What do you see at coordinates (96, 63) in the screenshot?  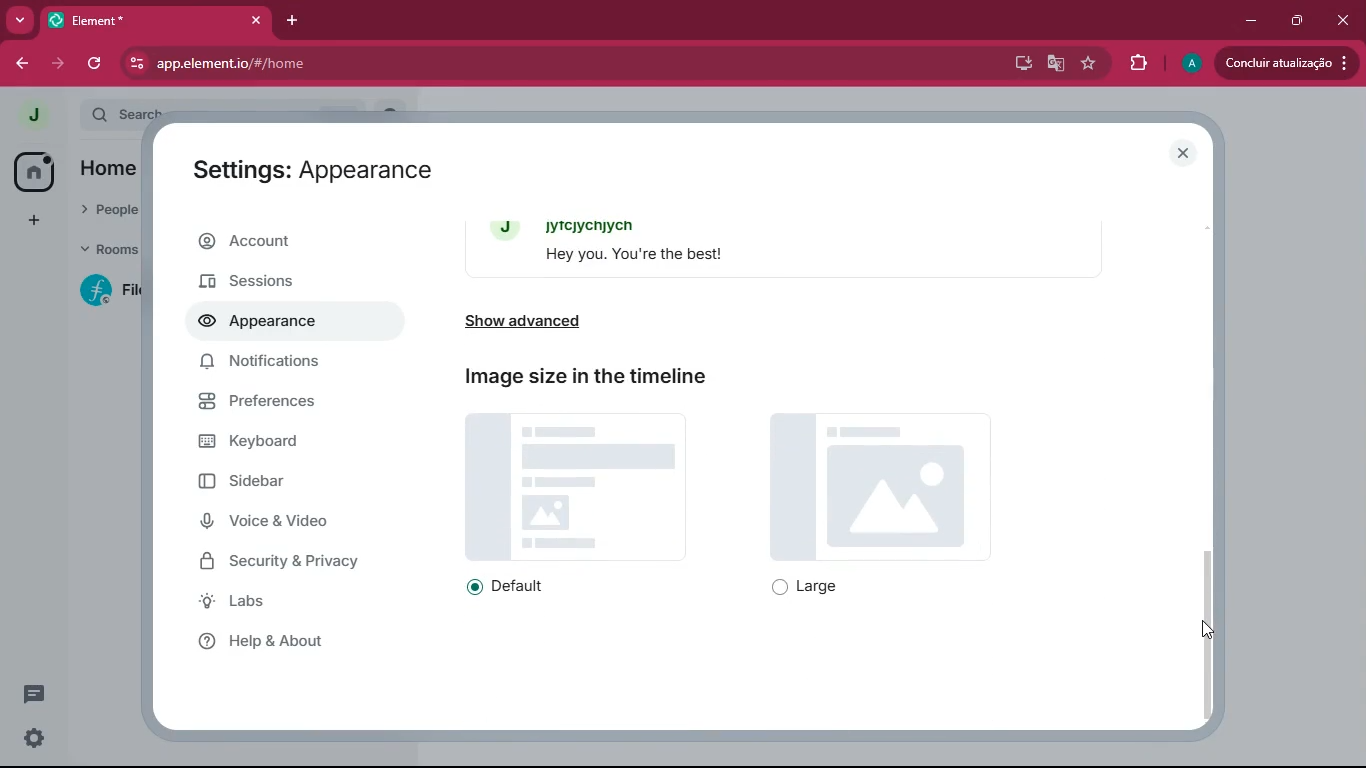 I see `refresh` at bounding box center [96, 63].